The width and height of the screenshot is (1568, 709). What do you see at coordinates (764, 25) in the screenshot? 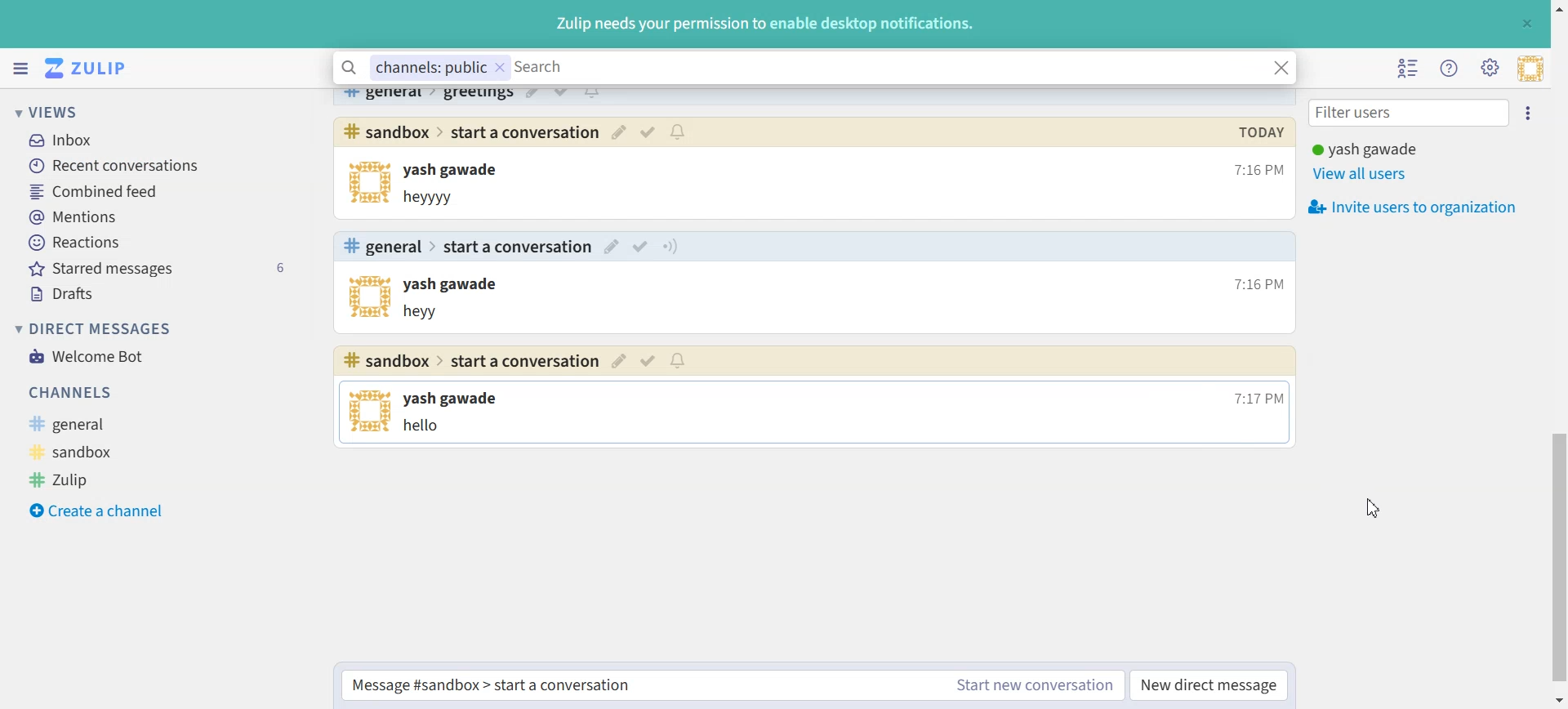
I see `Zulip needs your permission to enable desktop notifications.` at bounding box center [764, 25].